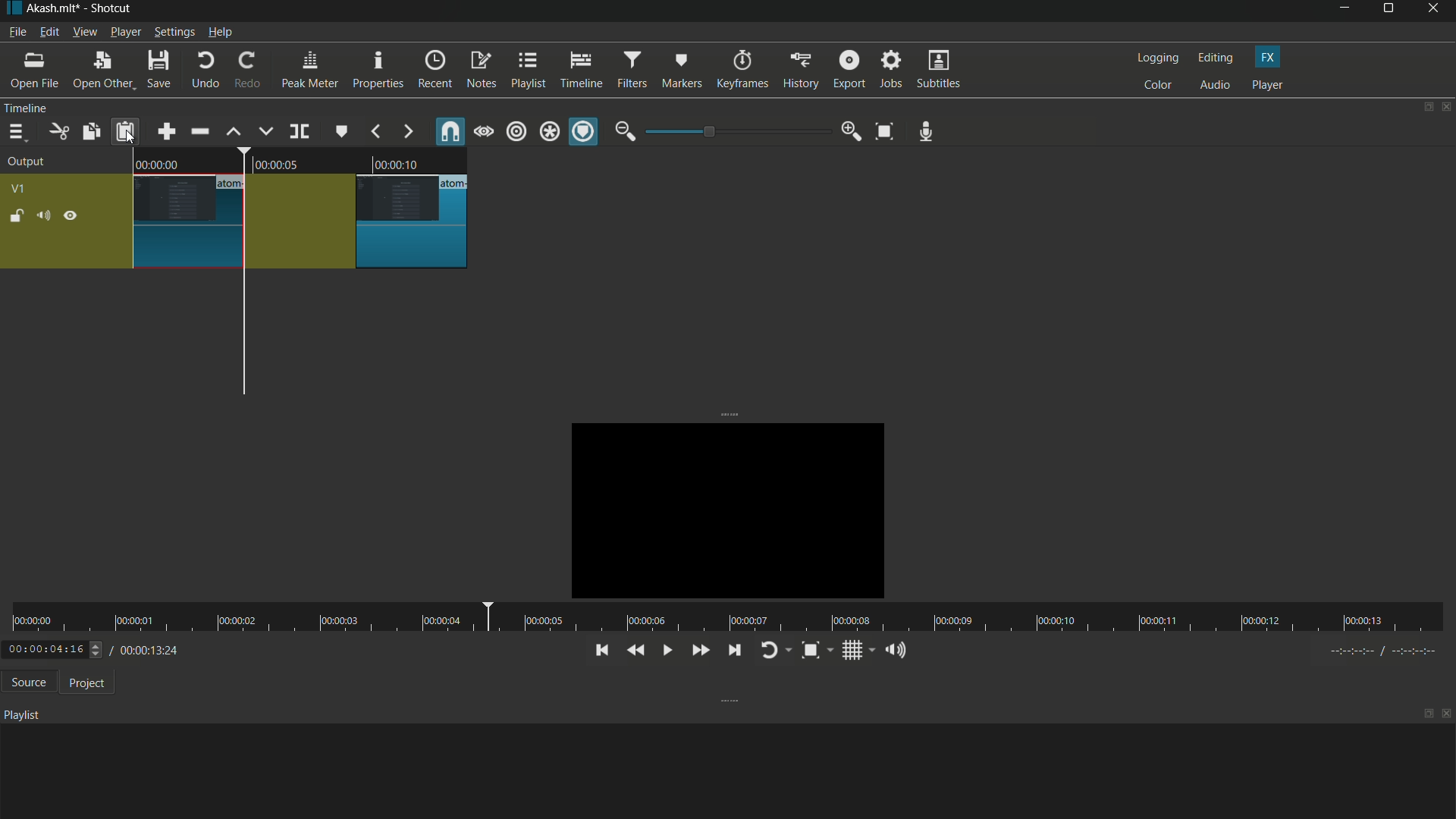  I want to click on view menu, so click(83, 32).